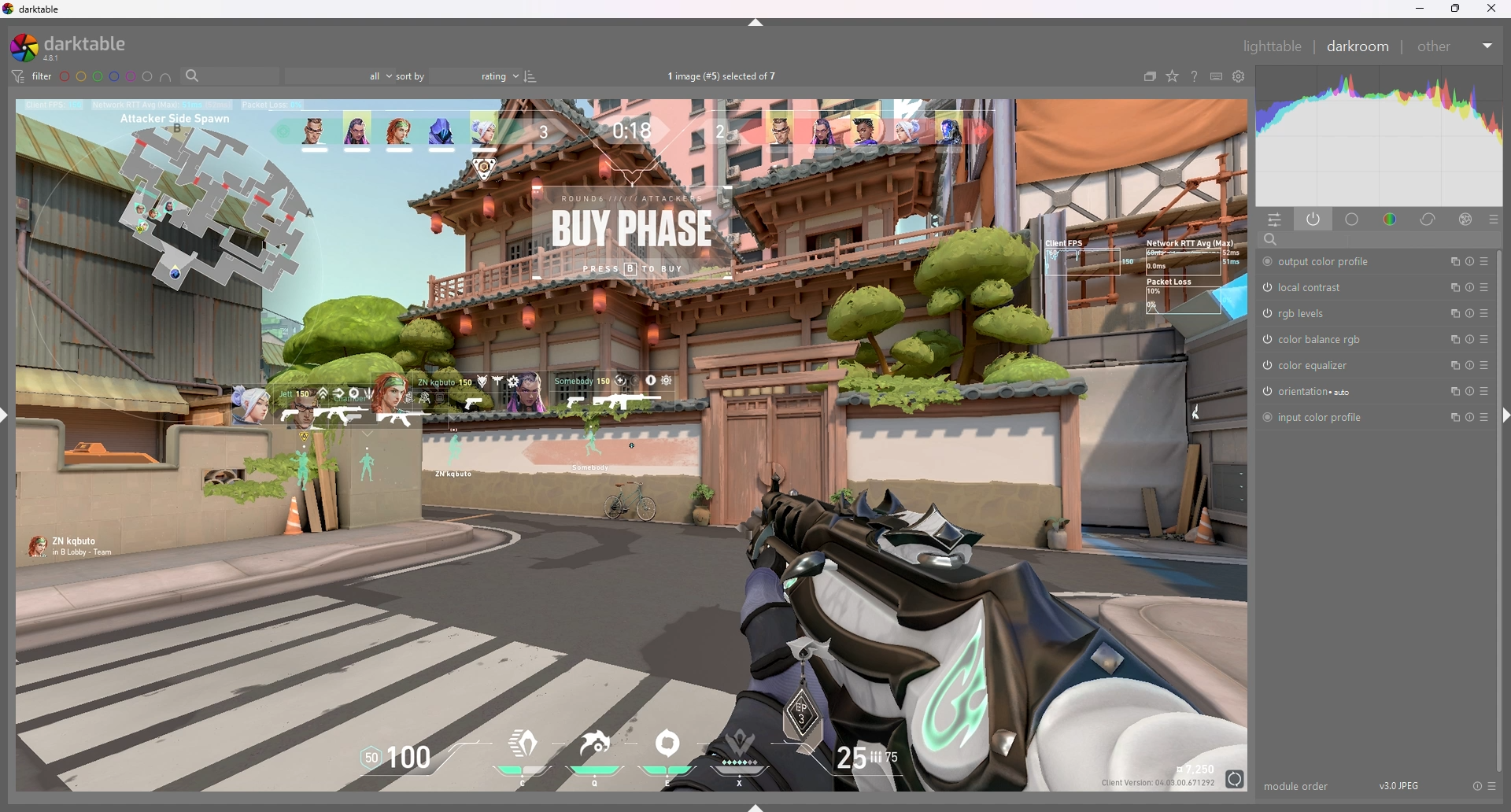 This screenshot has width=1511, height=812. What do you see at coordinates (339, 76) in the screenshot?
I see `filter by images rating` at bounding box center [339, 76].